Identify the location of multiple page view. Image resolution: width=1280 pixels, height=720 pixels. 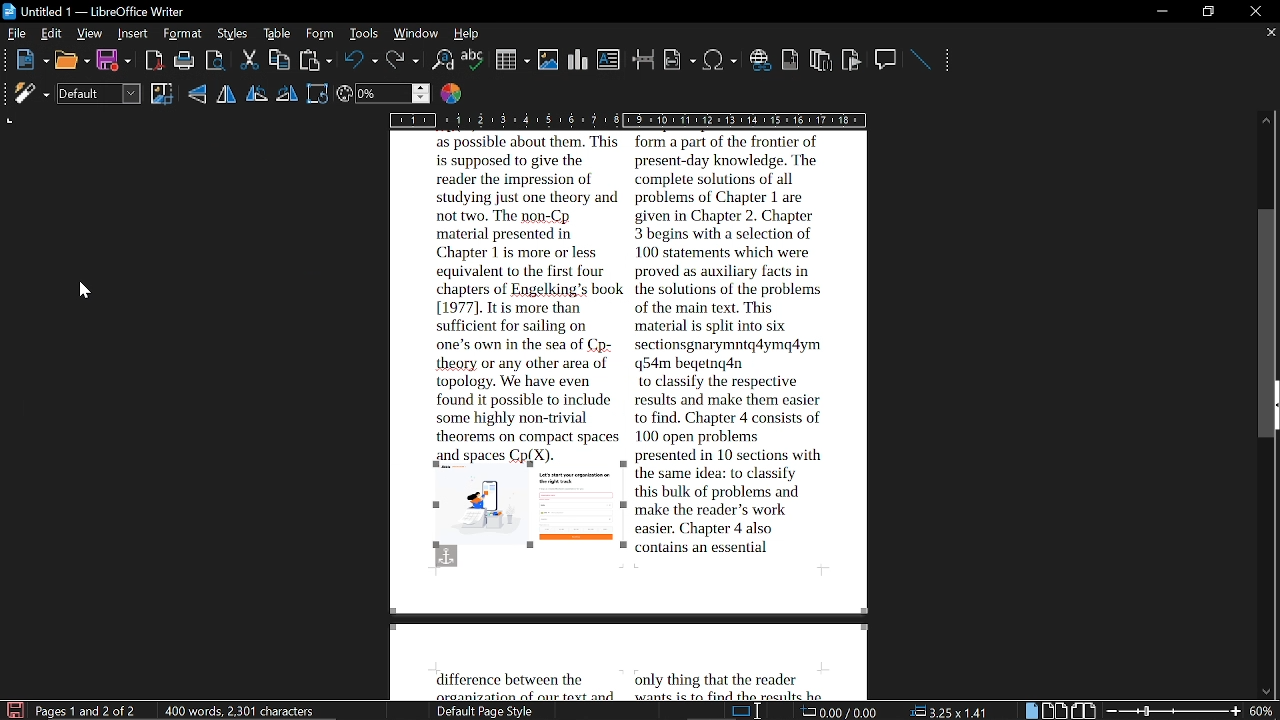
(1055, 710).